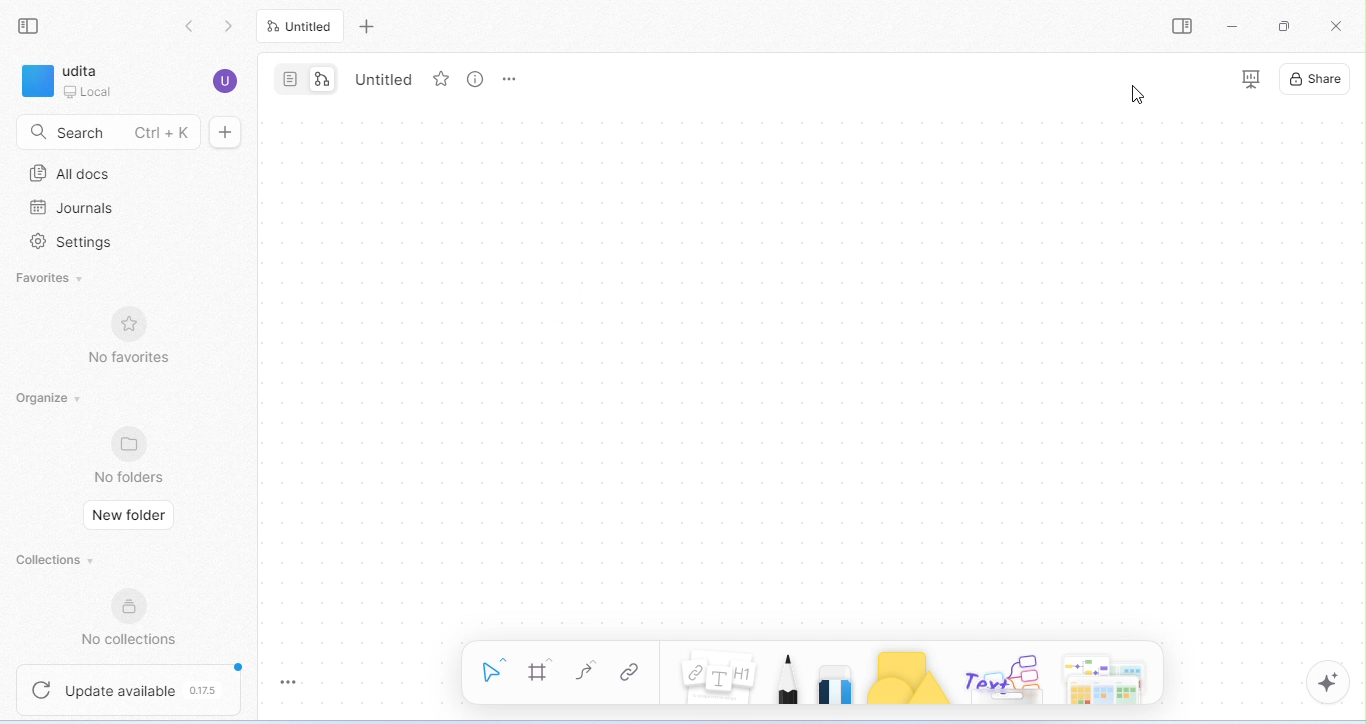  Describe the element at coordinates (384, 80) in the screenshot. I see `untitled` at that location.